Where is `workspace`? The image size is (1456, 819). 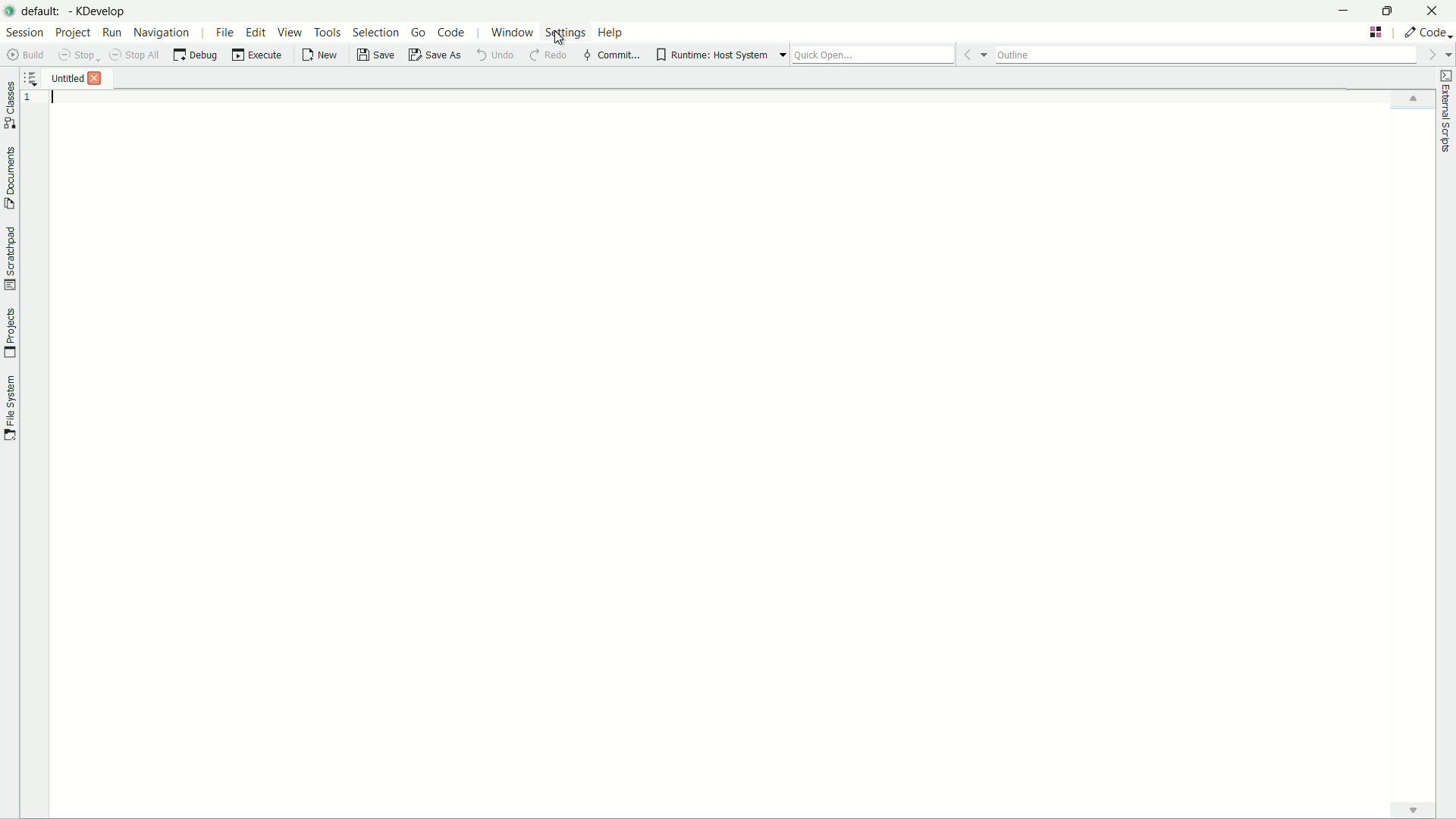
workspace is located at coordinates (748, 445).